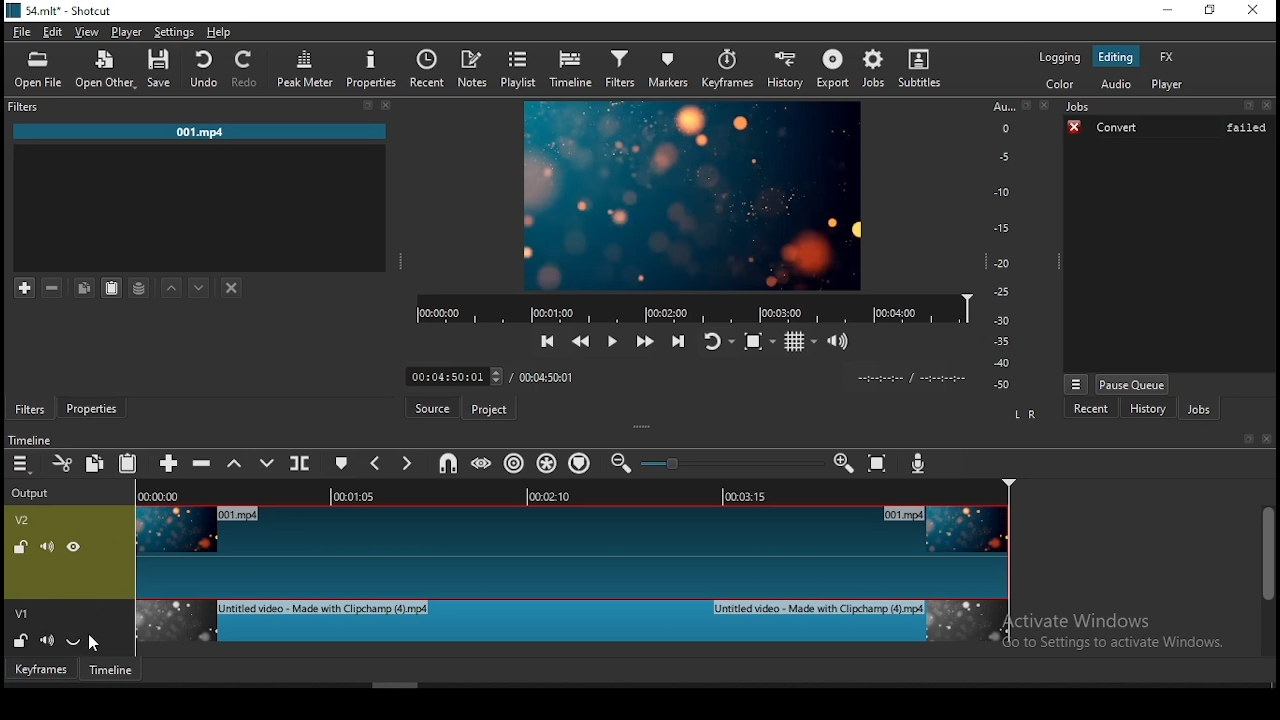  I want to click on (un)mute, so click(46, 546).